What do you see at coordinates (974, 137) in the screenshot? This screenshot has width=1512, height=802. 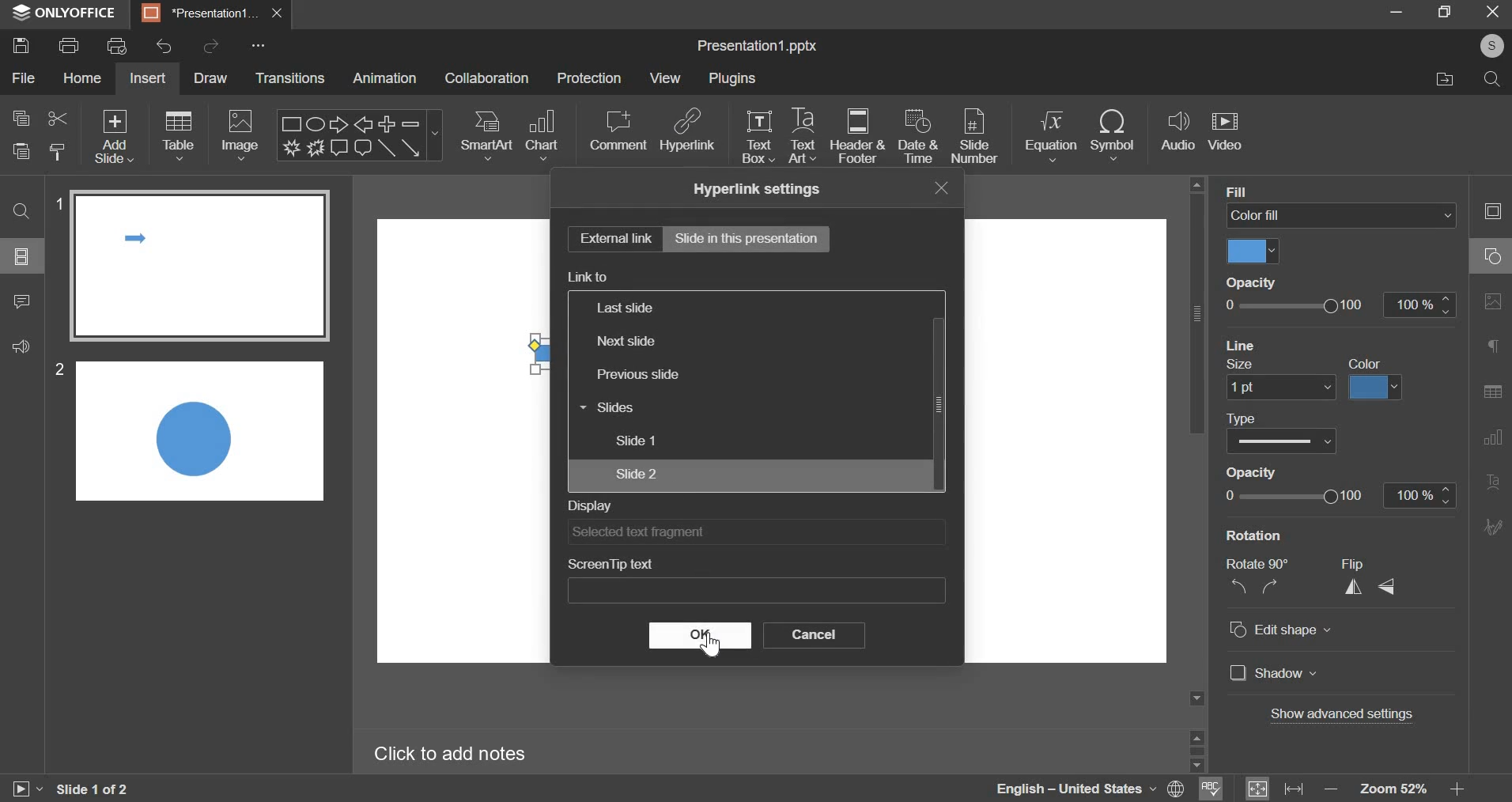 I see `slide number` at bounding box center [974, 137].